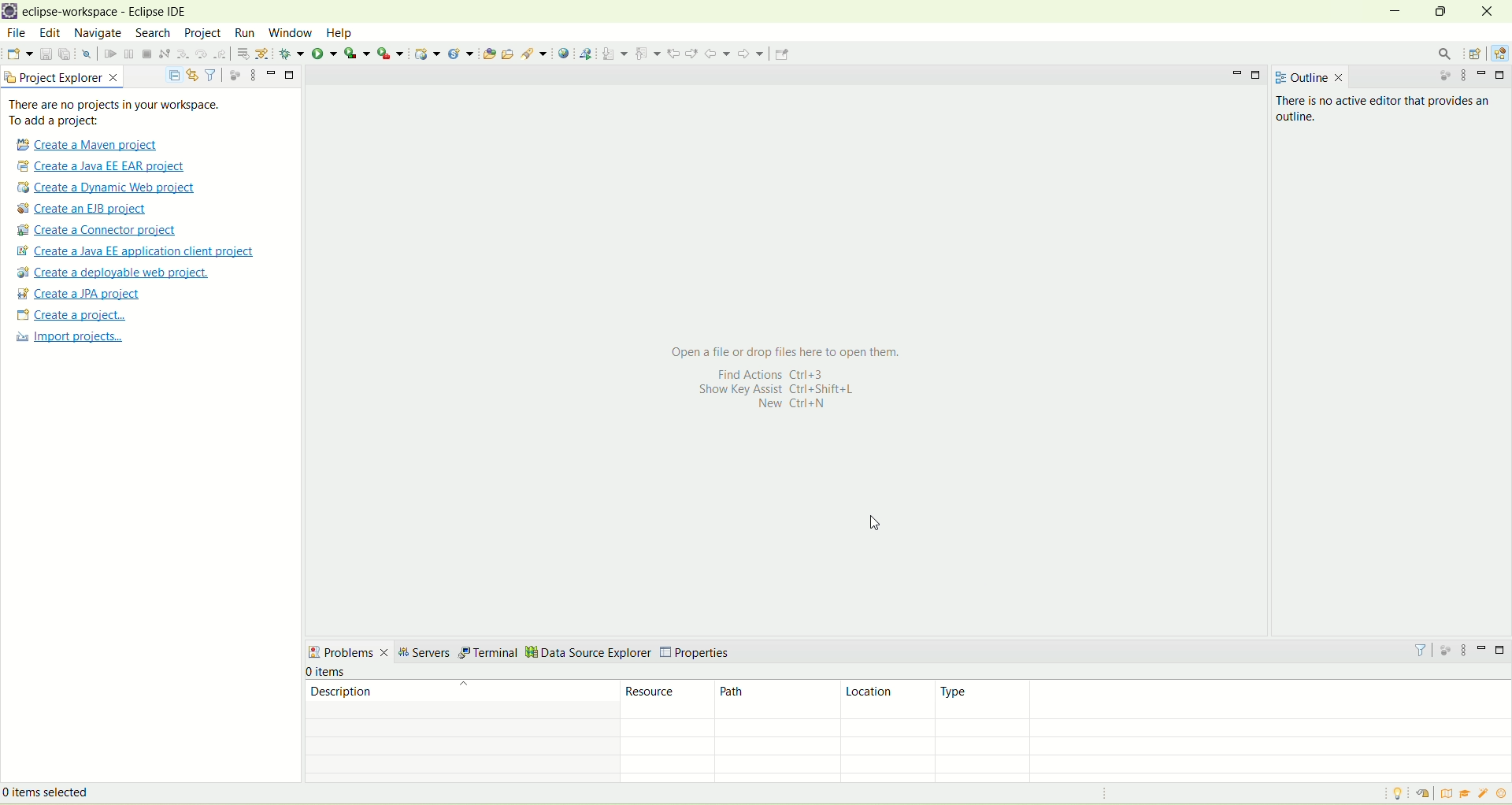  Describe the element at coordinates (676, 54) in the screenshot. I see `next annotation` at that location.